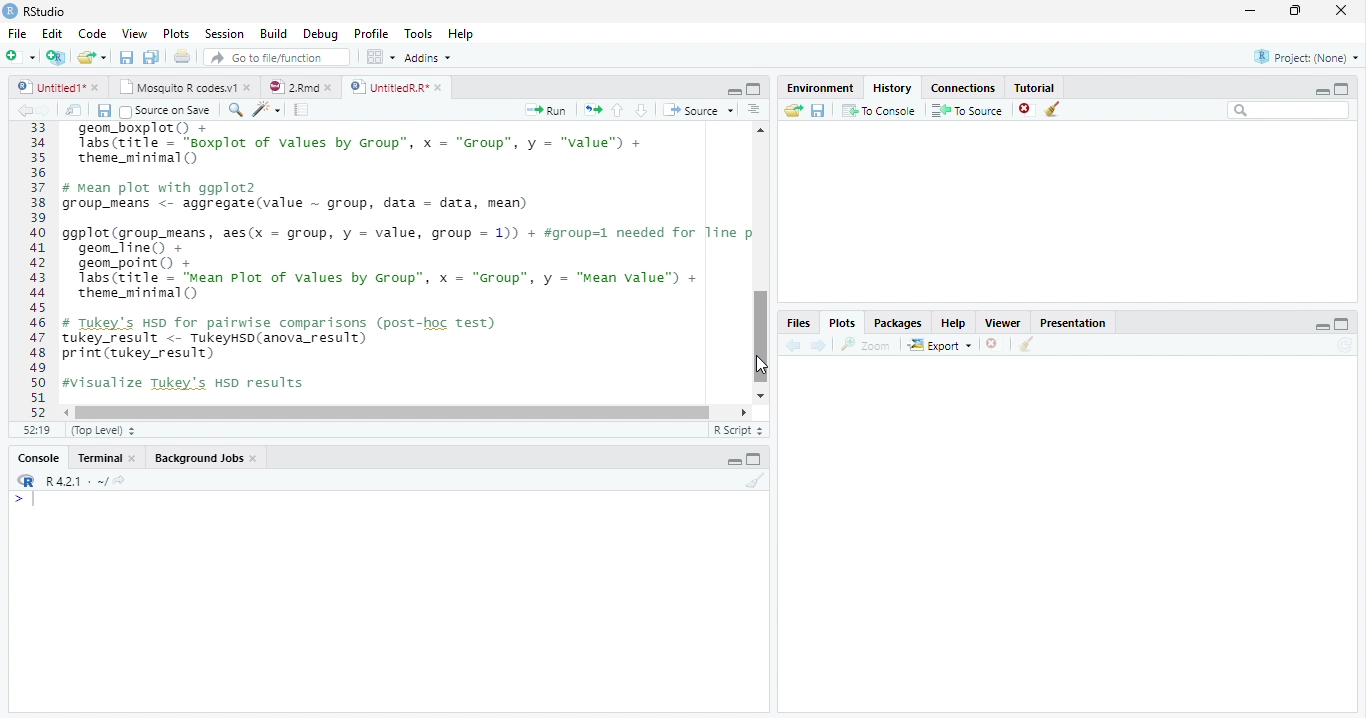  Describe the element at coordinates (301, 111) in the screenshot. I see `Pages` at that location.